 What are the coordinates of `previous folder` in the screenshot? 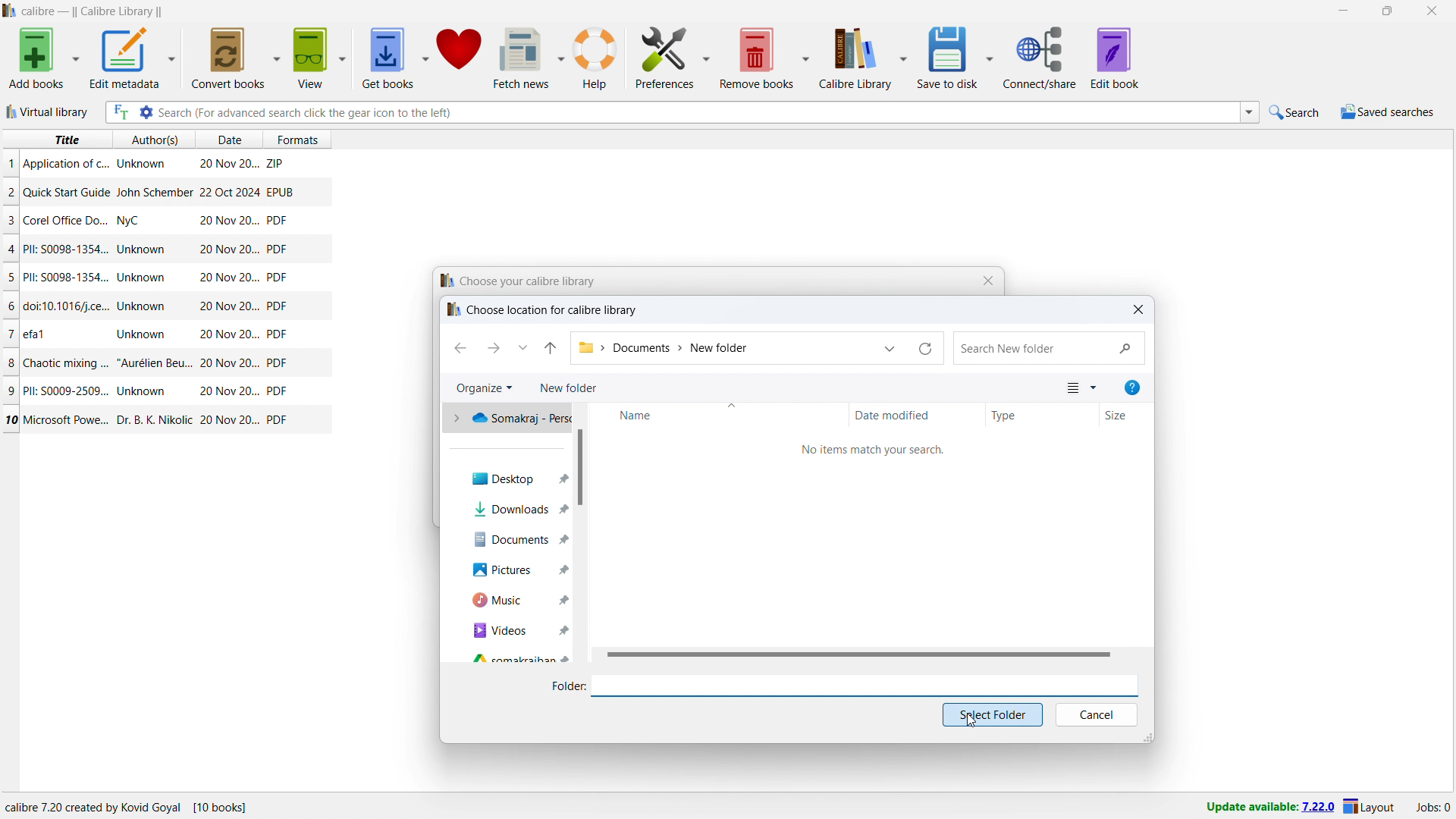 It's located at (460, 348).